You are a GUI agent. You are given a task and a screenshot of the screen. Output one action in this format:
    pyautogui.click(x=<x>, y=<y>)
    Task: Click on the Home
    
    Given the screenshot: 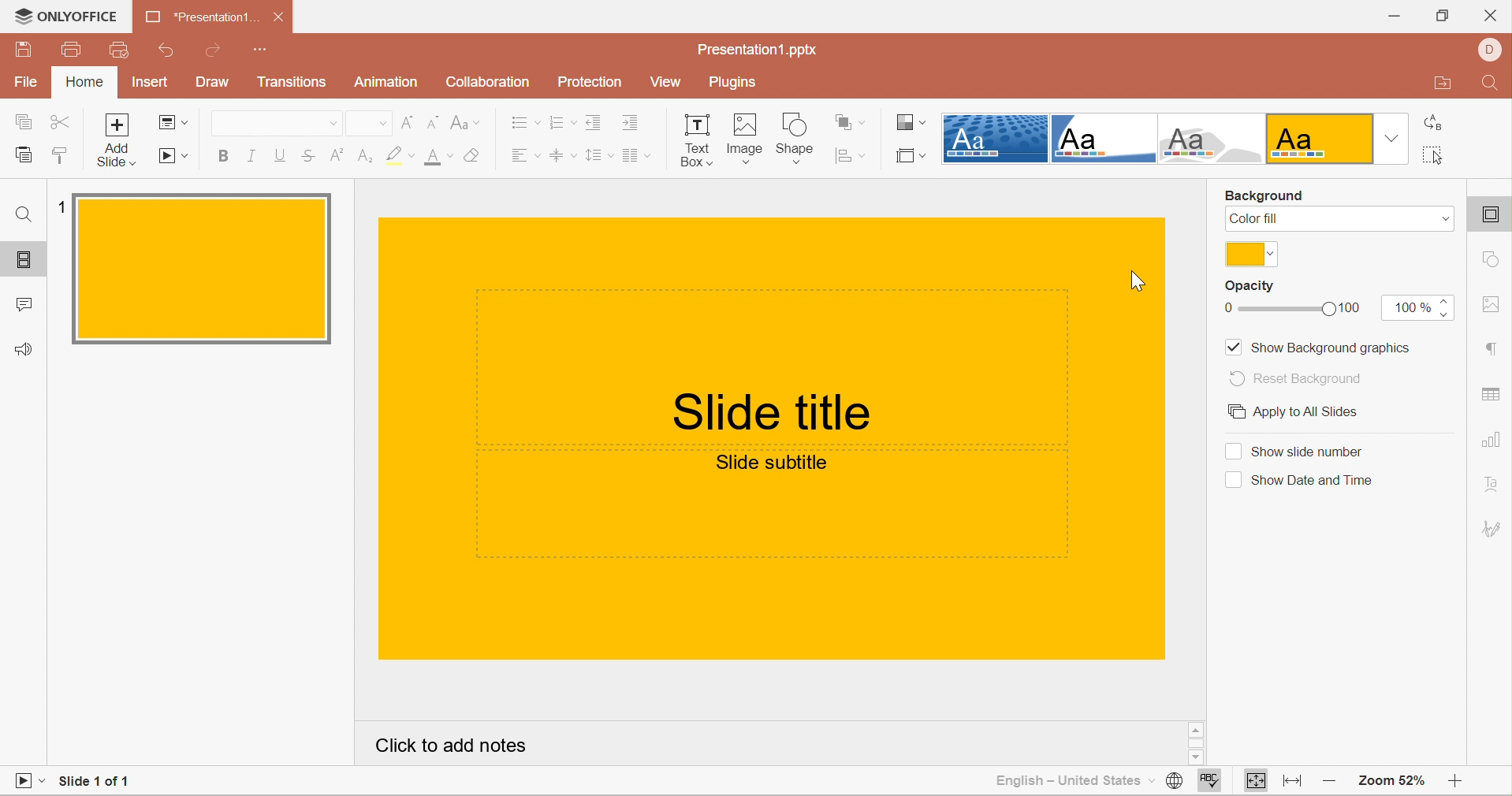 What is the action you would take?
    pyautogui.click(x=88, y=83)
    